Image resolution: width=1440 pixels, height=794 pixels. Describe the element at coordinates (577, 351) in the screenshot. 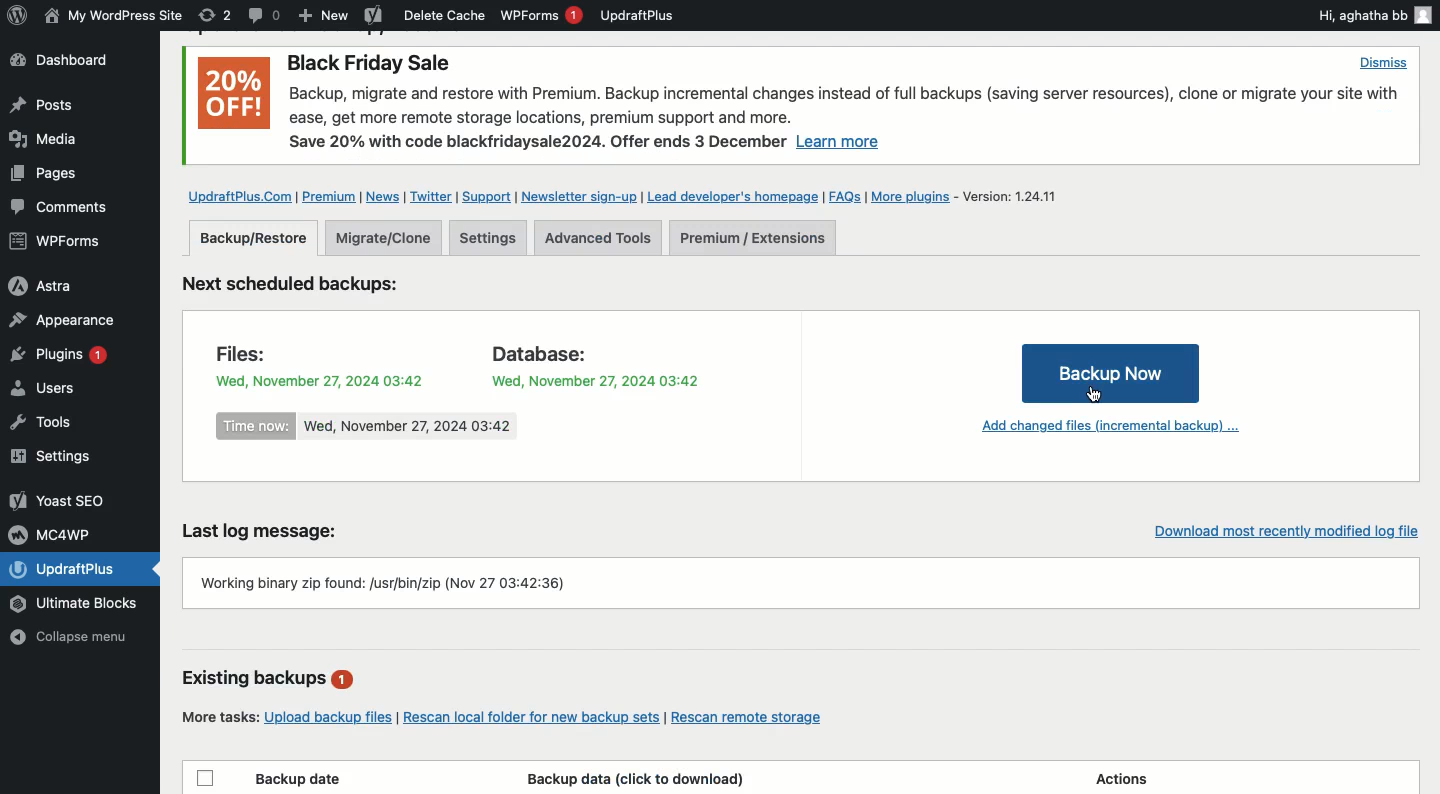

I see `Database:` at that location.